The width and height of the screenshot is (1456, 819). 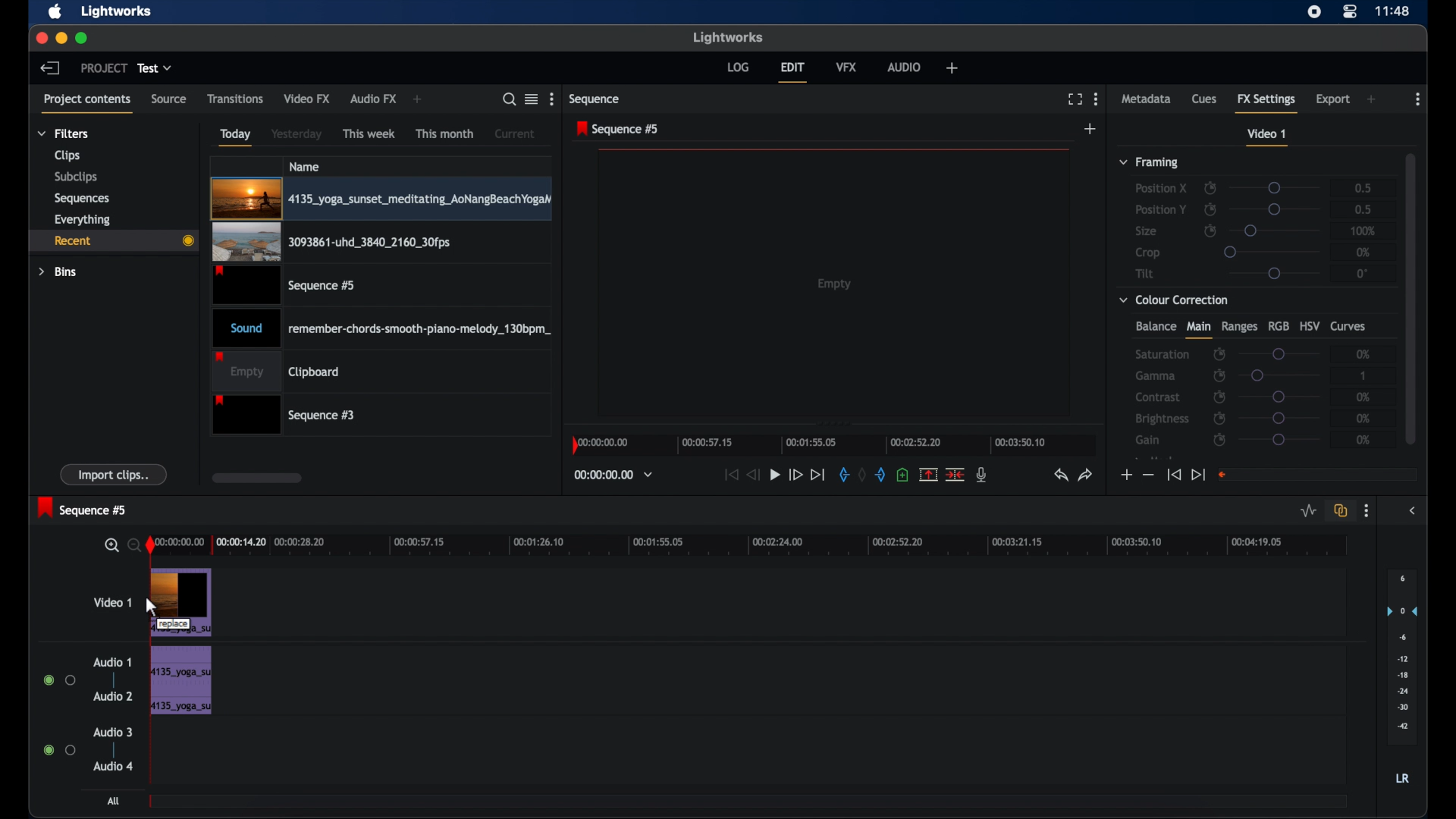 I want to click on name, so click(x=306, y=166).